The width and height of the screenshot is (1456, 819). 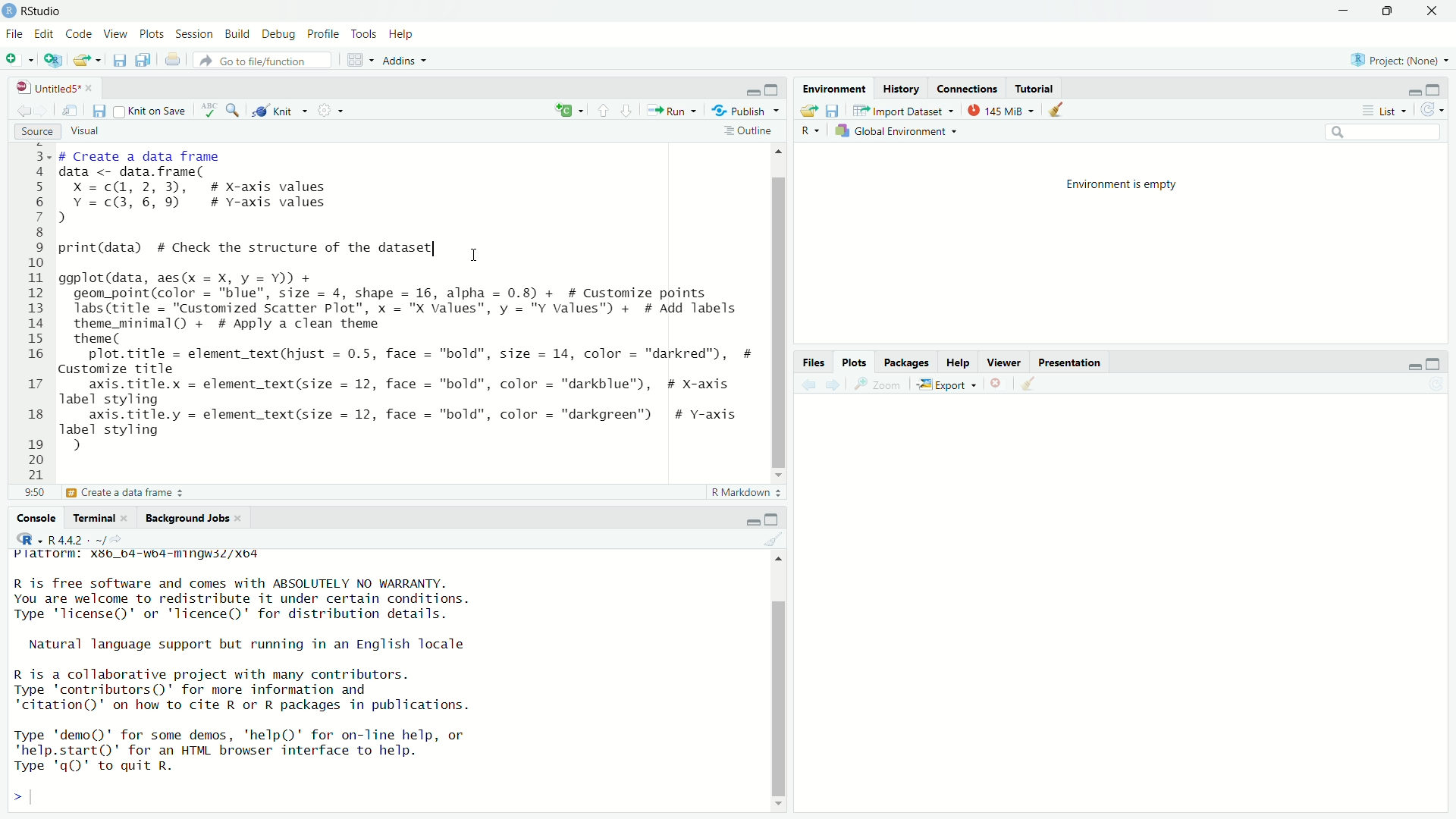 I want to click on Profile, so click(x=325, y=35).